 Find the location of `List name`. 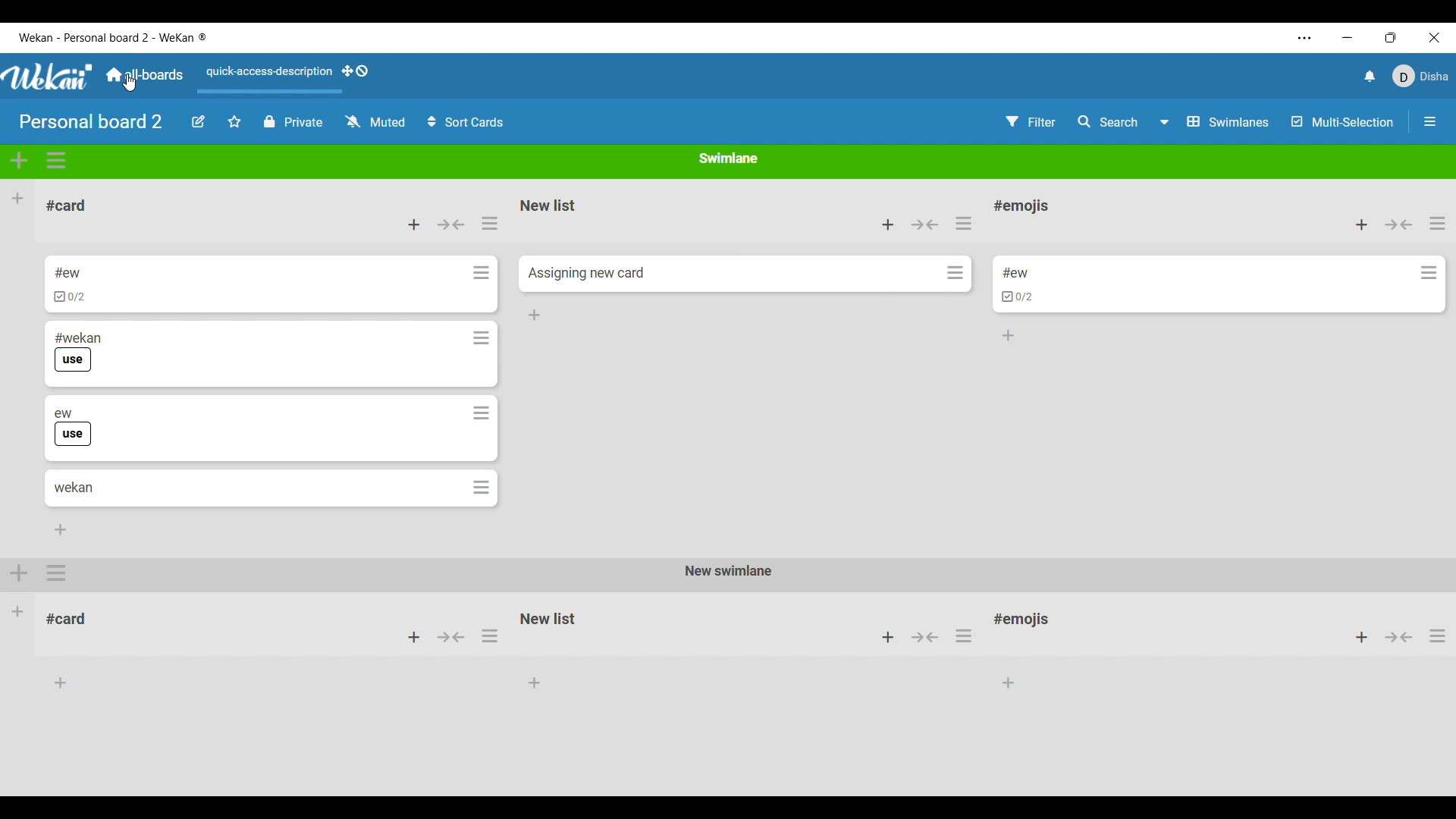

List name is located at coordinates (67, 206).